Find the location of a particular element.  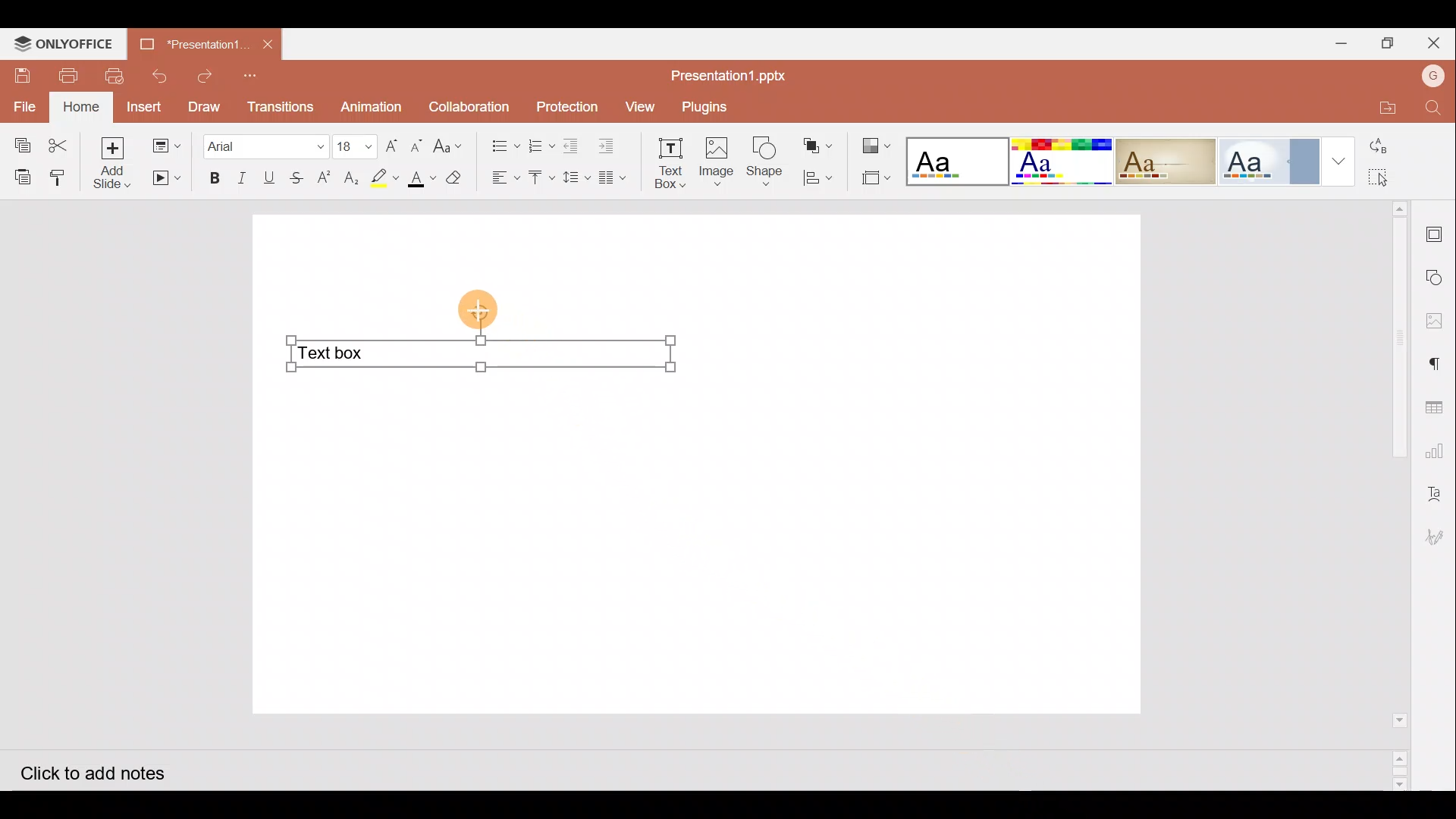

Font size is located at coordinates (356, 146).